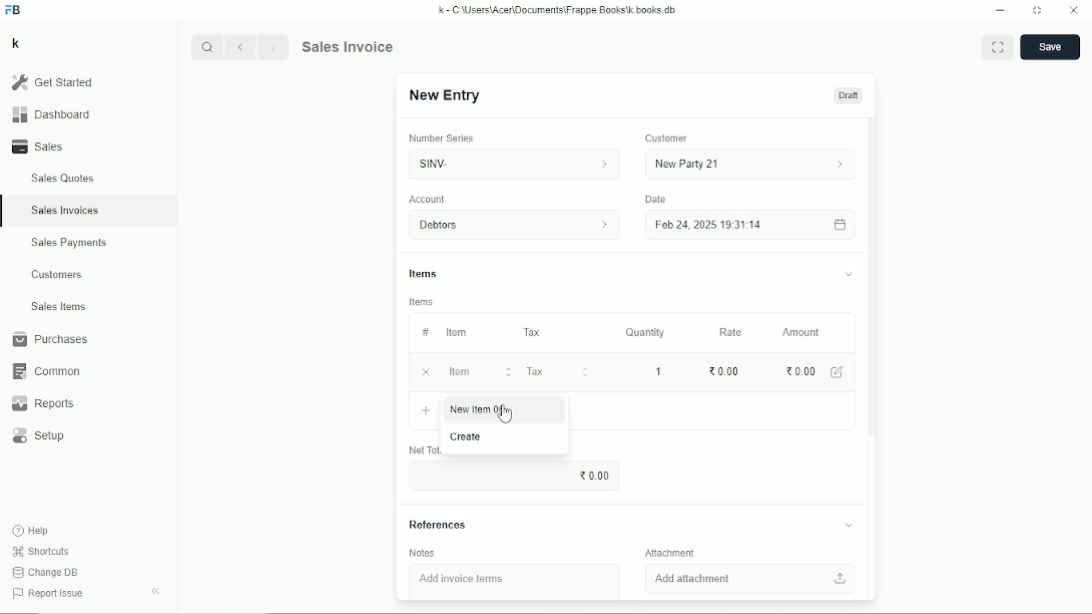 The width and height of the screenshot is (1092, 614). Describe the element at coordinates (480, 371) in the screenshot. I see `Item` at that location.